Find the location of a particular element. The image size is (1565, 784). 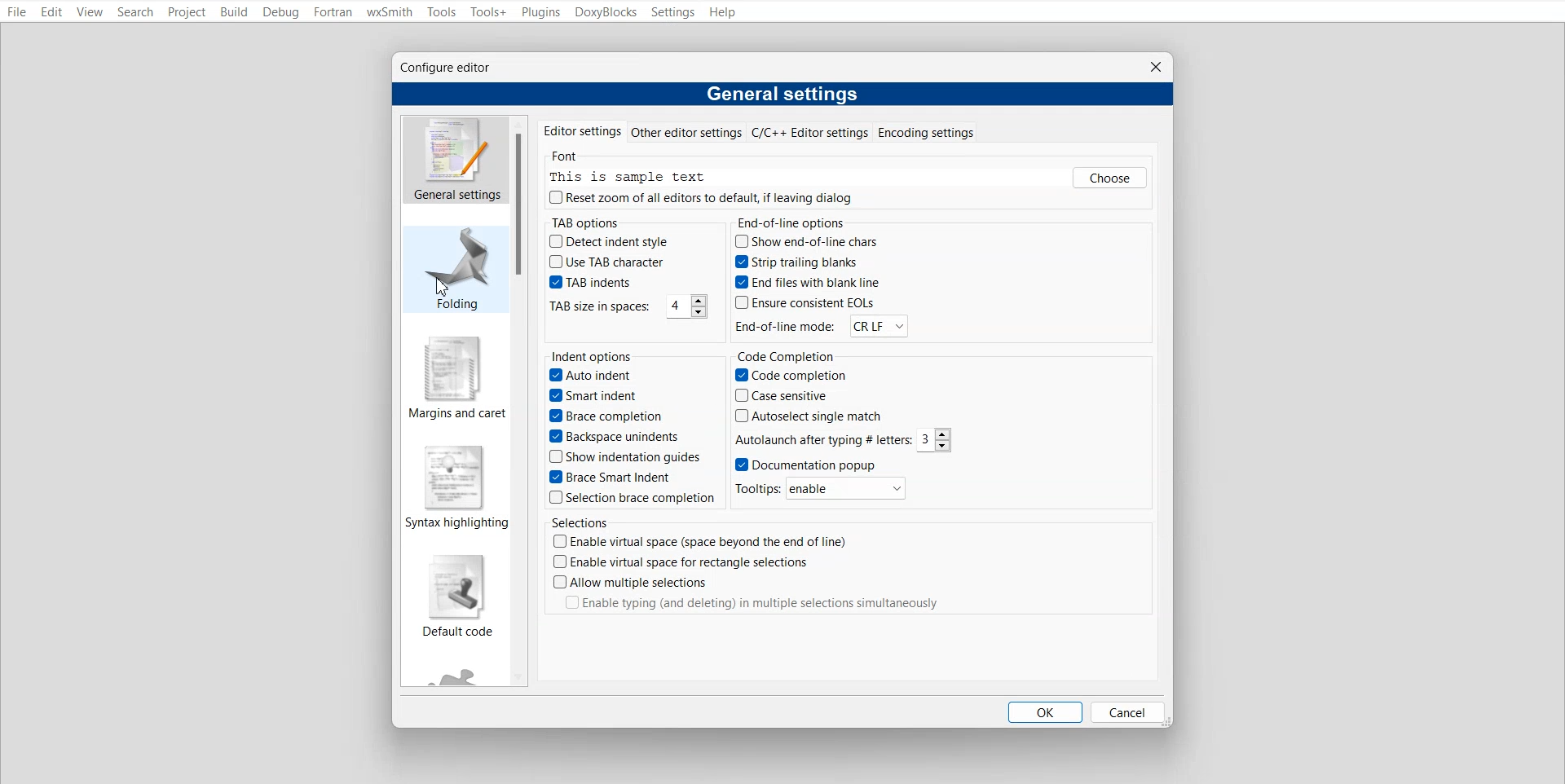

Other editor settings is located at coordinates (686, 131).